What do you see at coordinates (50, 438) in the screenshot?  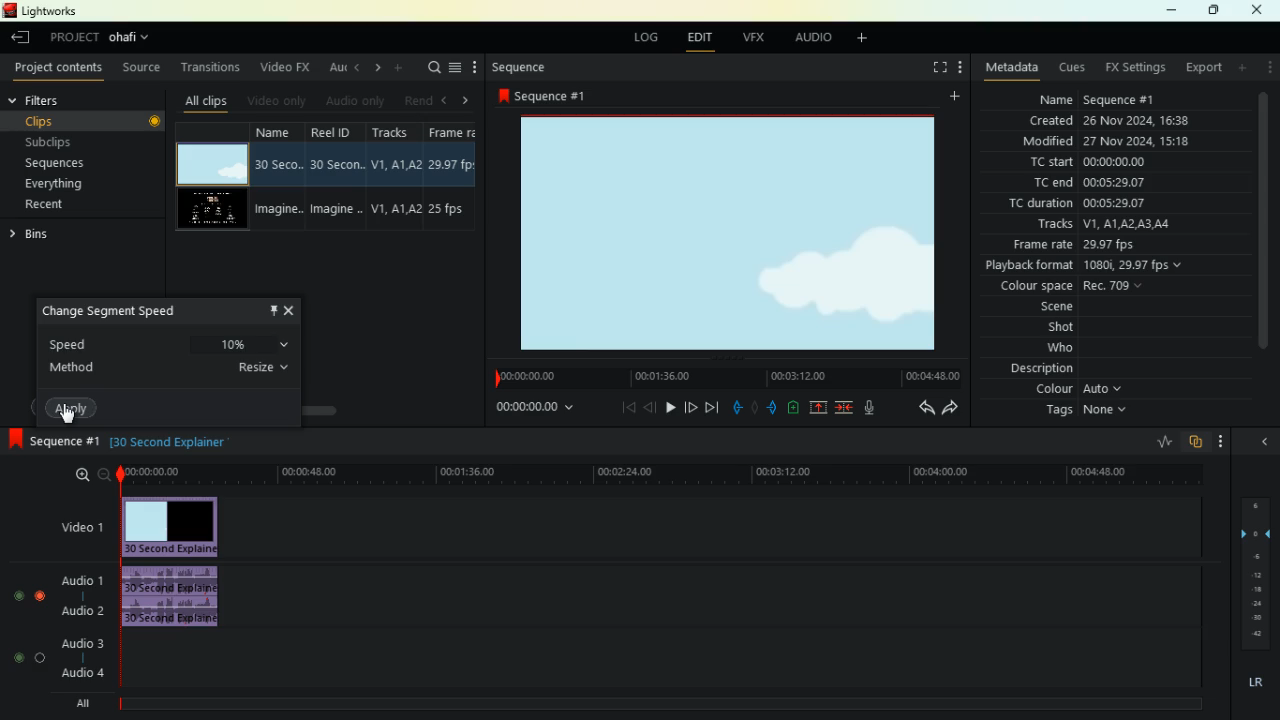 I see `sequence` at bounding box center [50, 438].